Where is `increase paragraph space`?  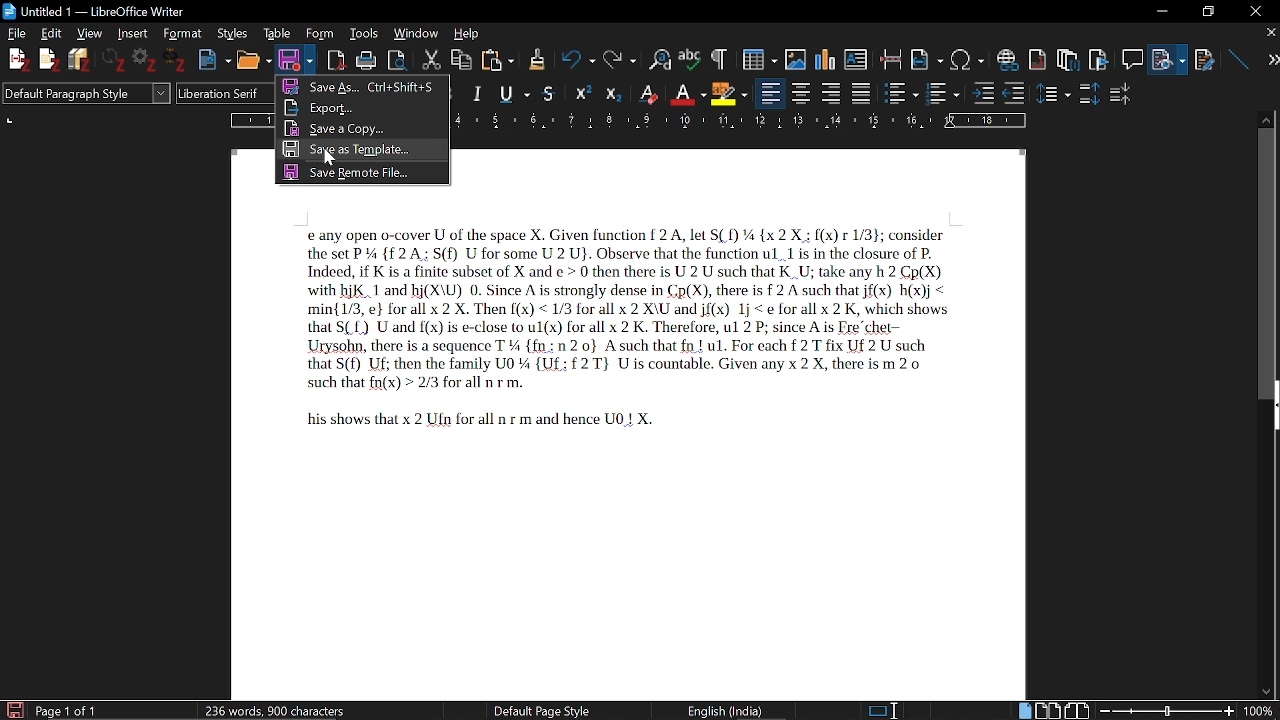
increase paragraph space is located at coordinates (1088, 93).